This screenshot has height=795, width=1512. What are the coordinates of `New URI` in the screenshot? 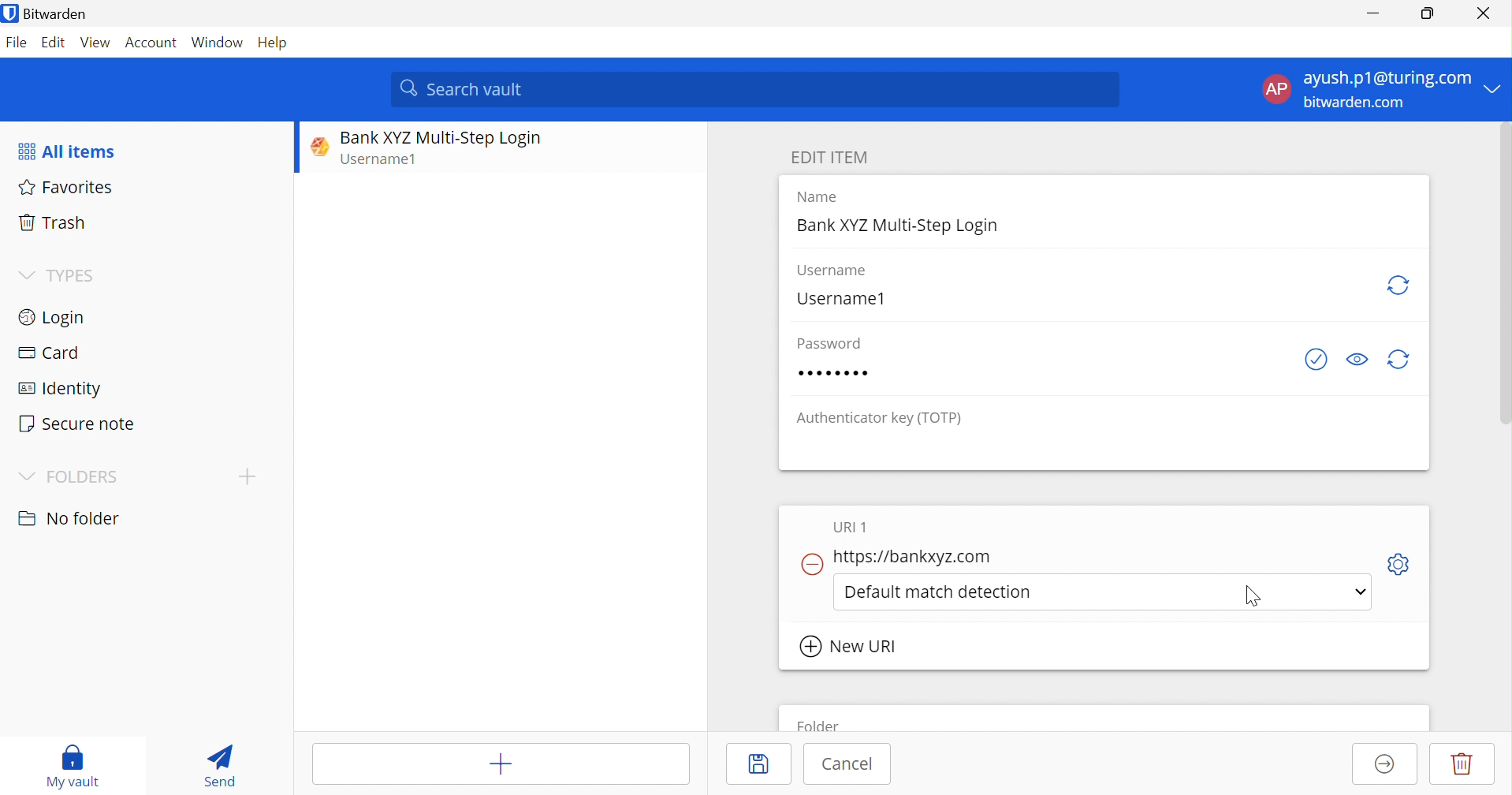 It's located at (850, 646).